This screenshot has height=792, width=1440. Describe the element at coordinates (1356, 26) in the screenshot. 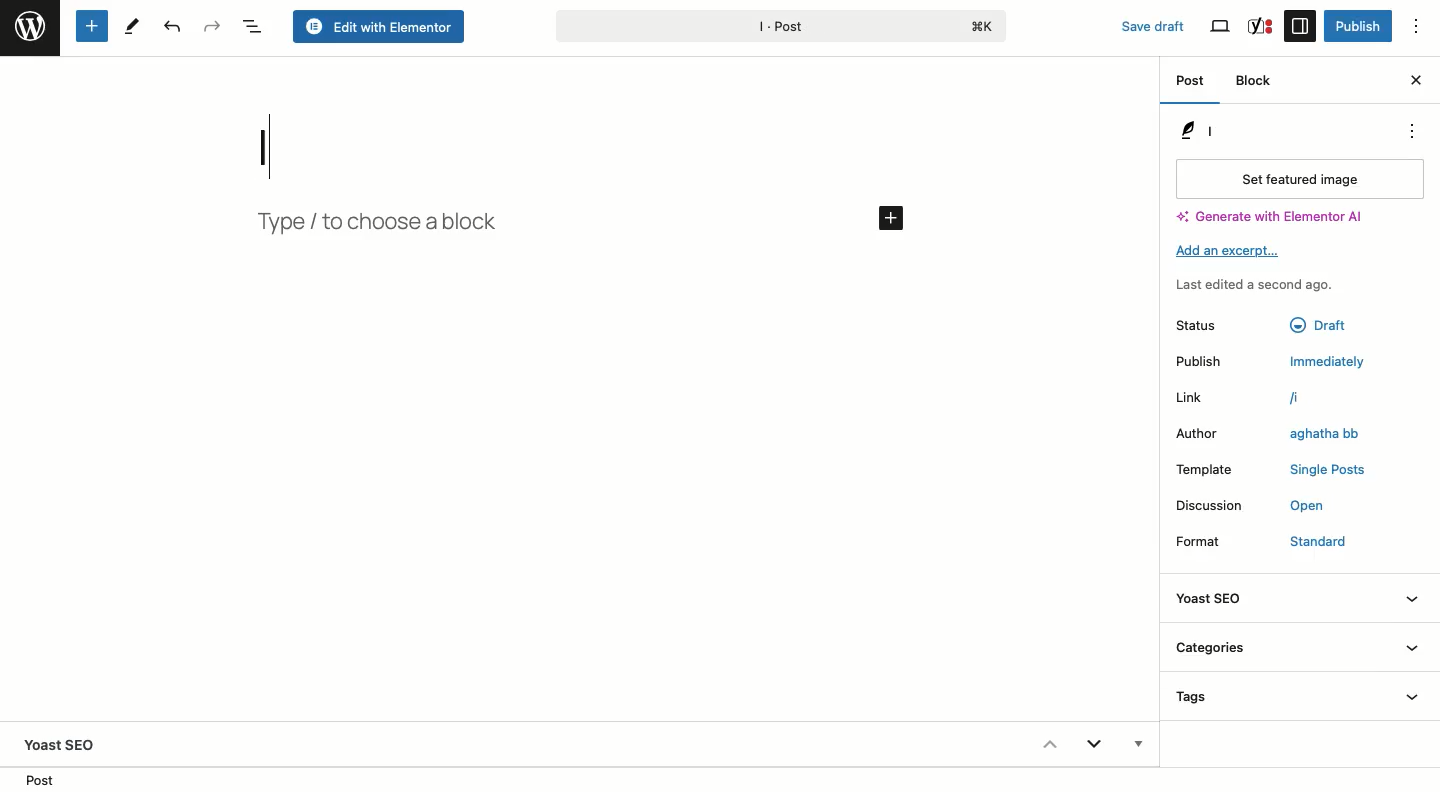

I see `Publish` at that location.